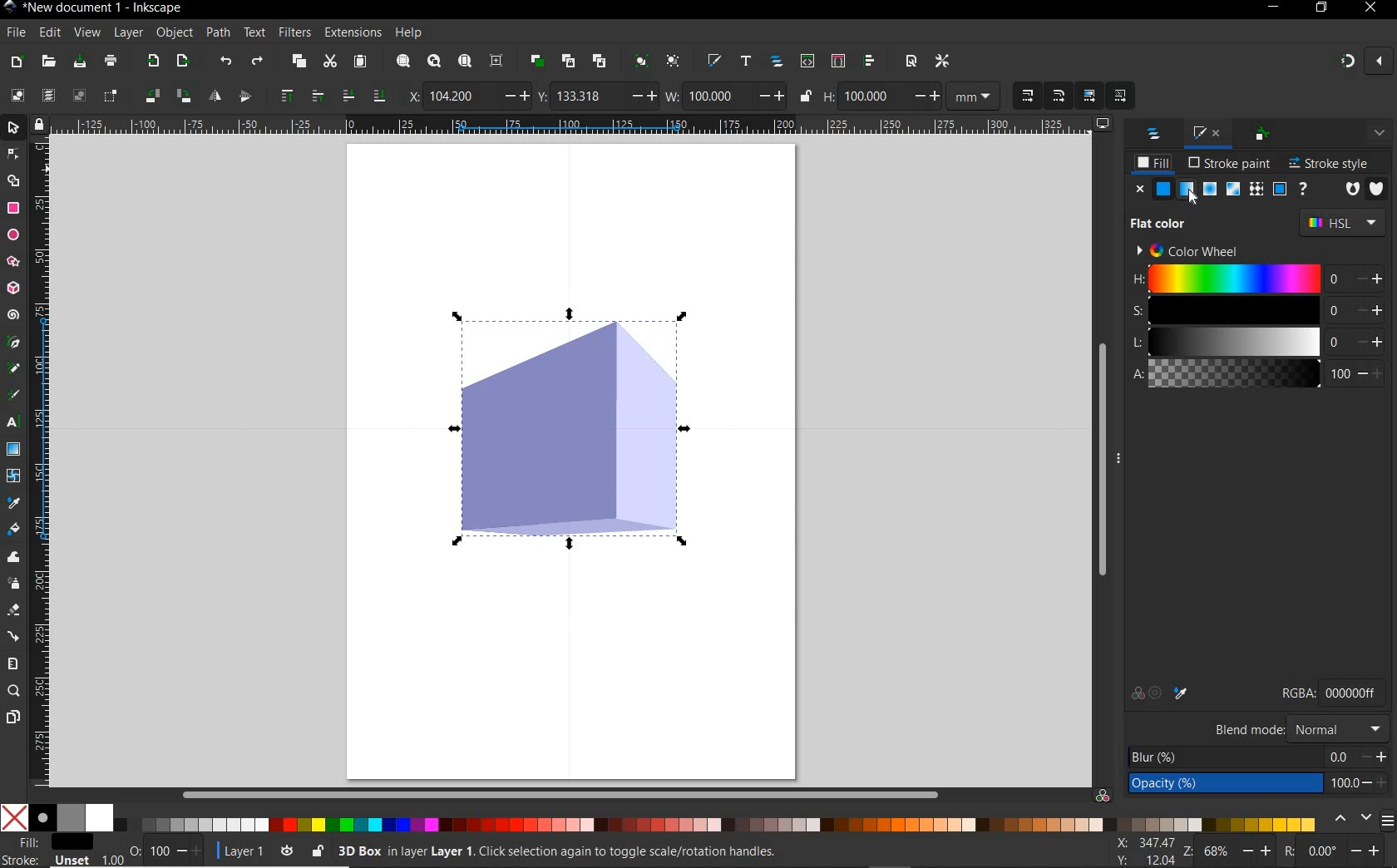 The width and height of the screenshot is (1397, 868). Describe the element at coordinates (317, 851) in the screenshot. I see `LOCK/UNLOCK` at that location.